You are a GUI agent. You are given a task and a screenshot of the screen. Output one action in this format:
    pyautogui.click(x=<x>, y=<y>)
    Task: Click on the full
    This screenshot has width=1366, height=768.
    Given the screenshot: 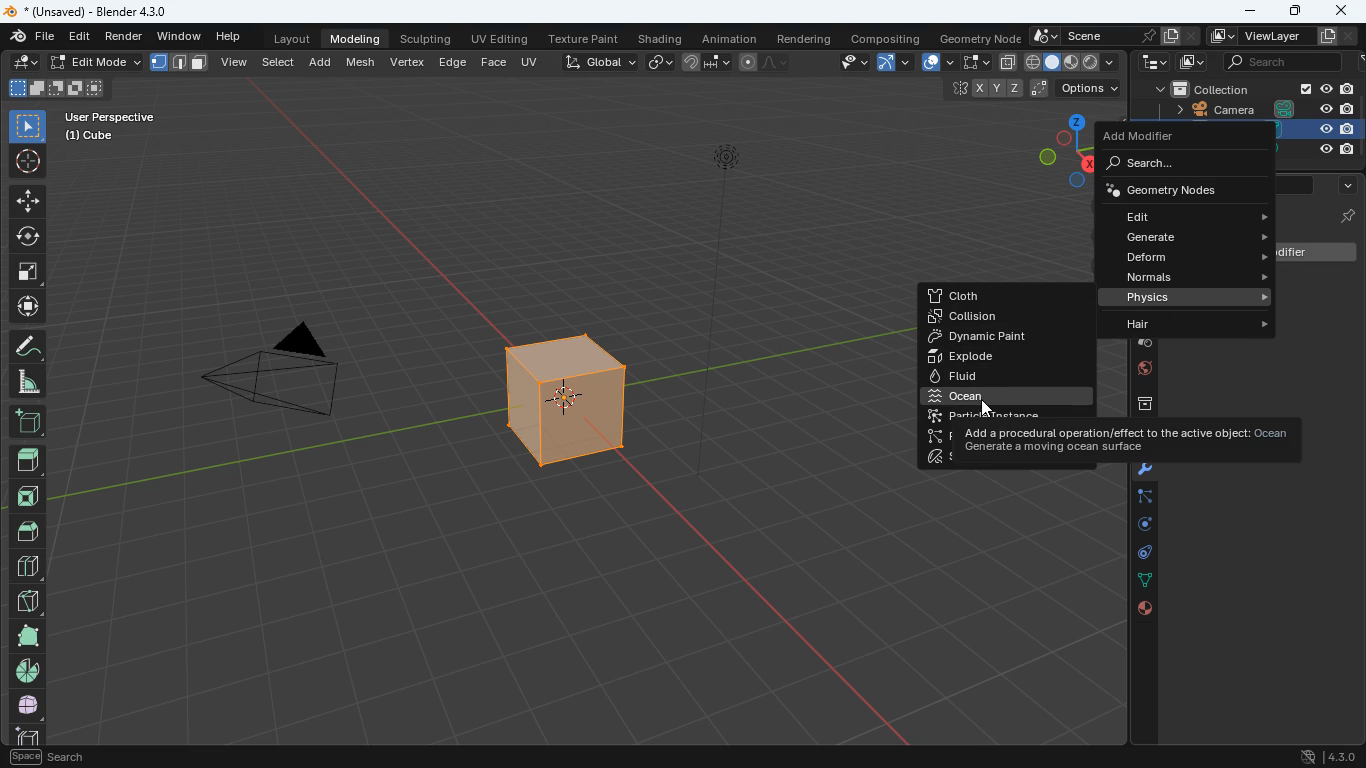 What is the action you would take?
    pyautogui.click(x=30, y=703)
    